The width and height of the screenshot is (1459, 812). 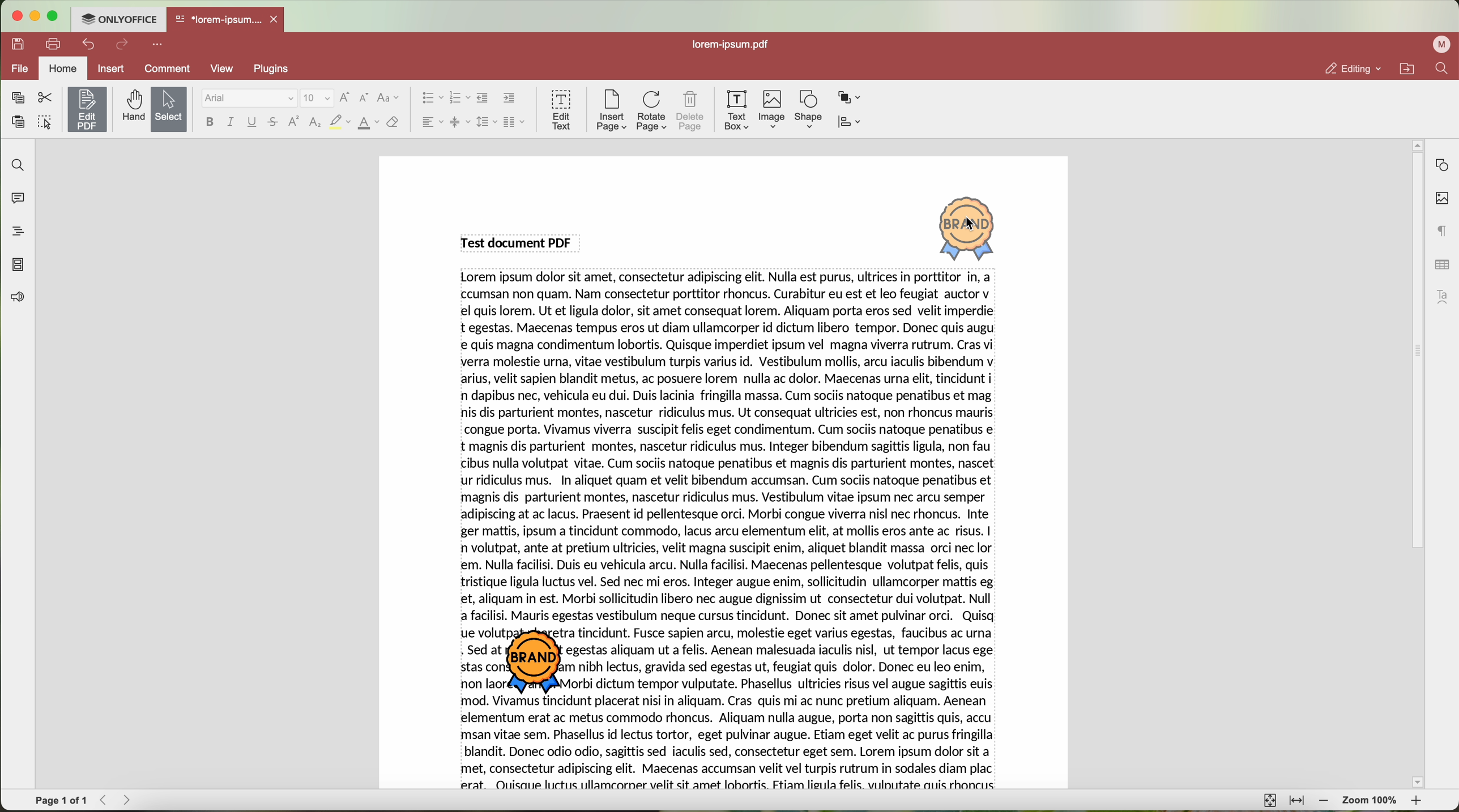 I want to click on shape settings, so click(x=1441, y=165).